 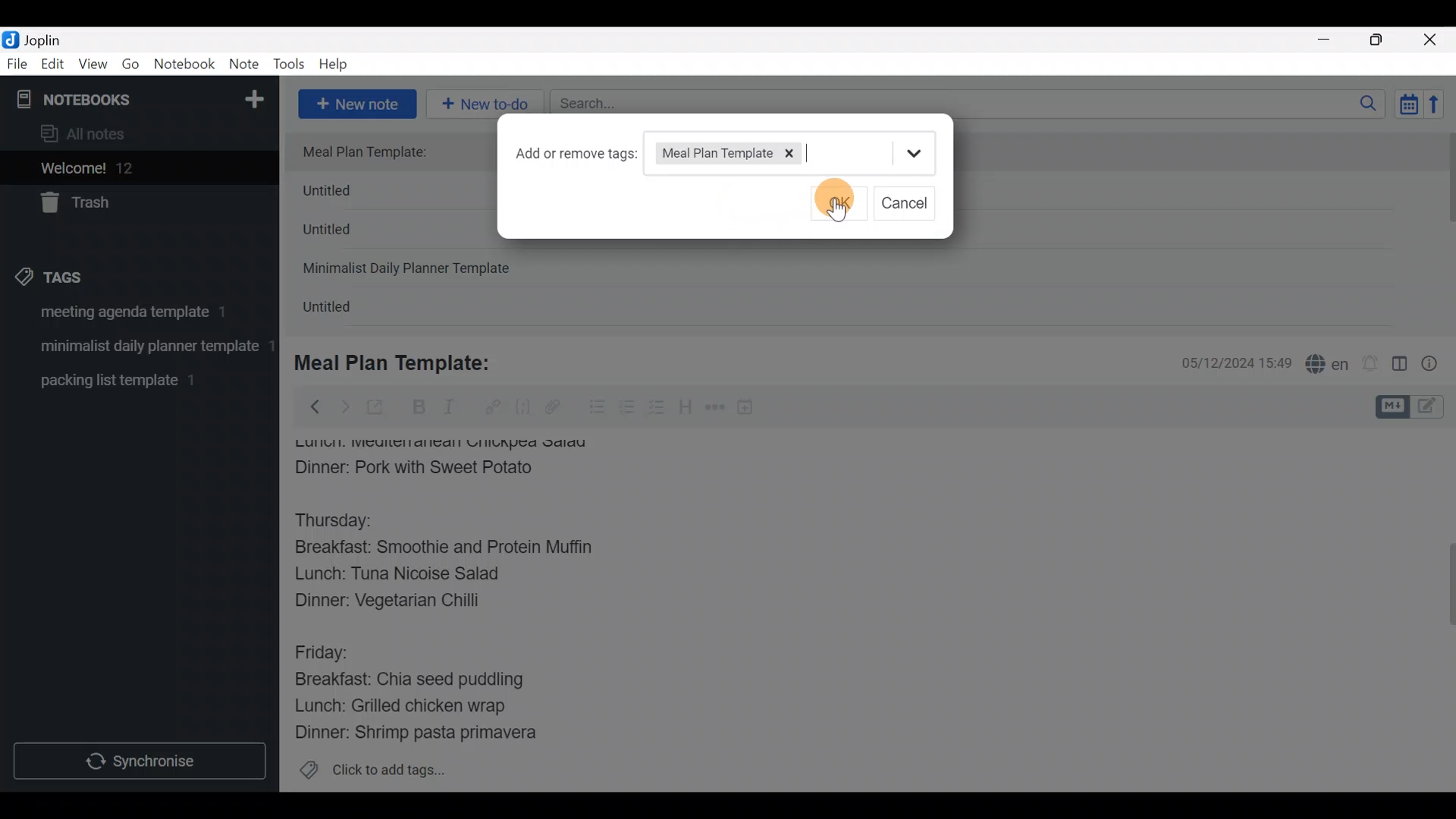 I want to click on Meal Plan Template:, so click(x=402, y=361).